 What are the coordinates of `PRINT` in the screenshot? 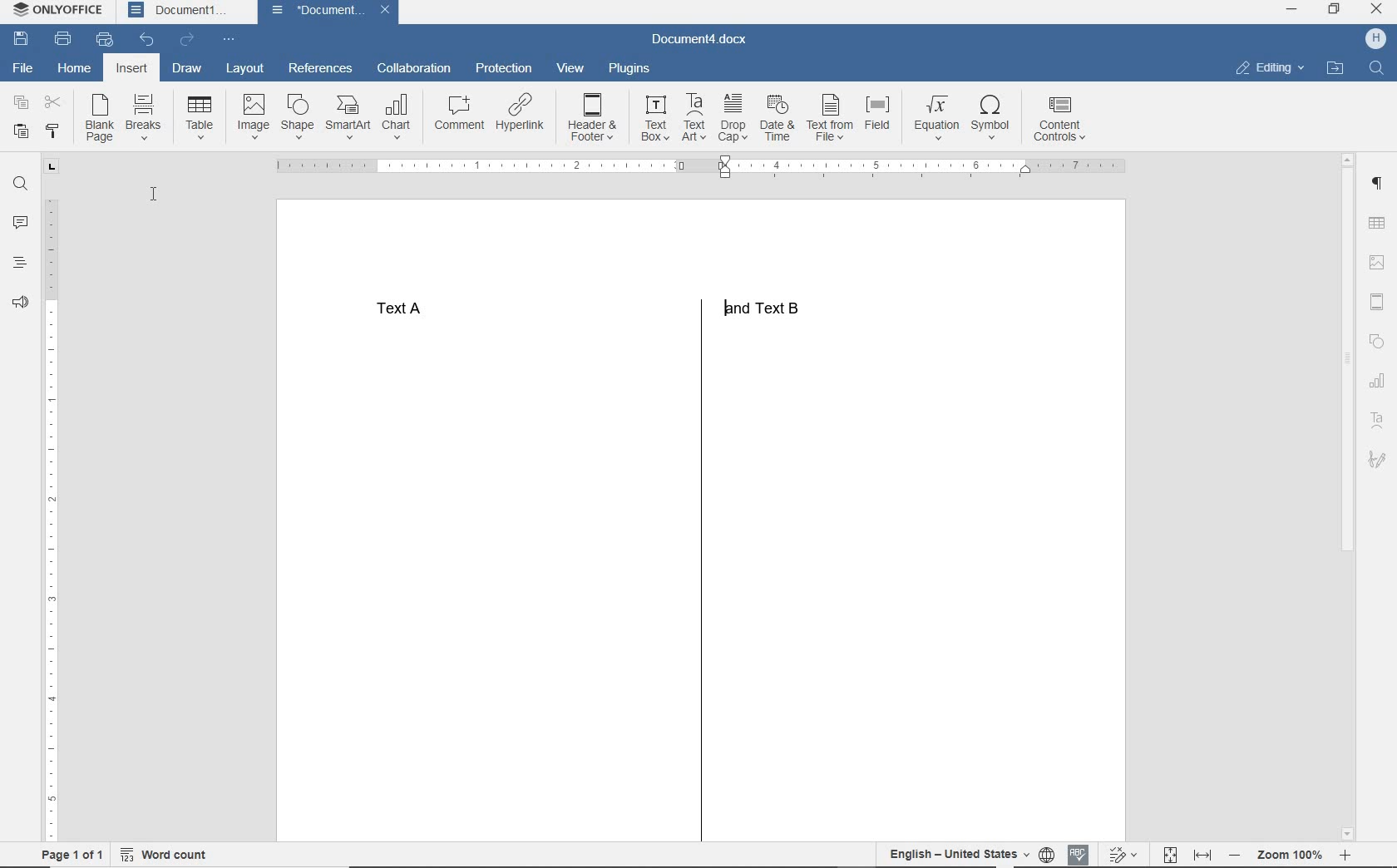 It's located at (62, 40).